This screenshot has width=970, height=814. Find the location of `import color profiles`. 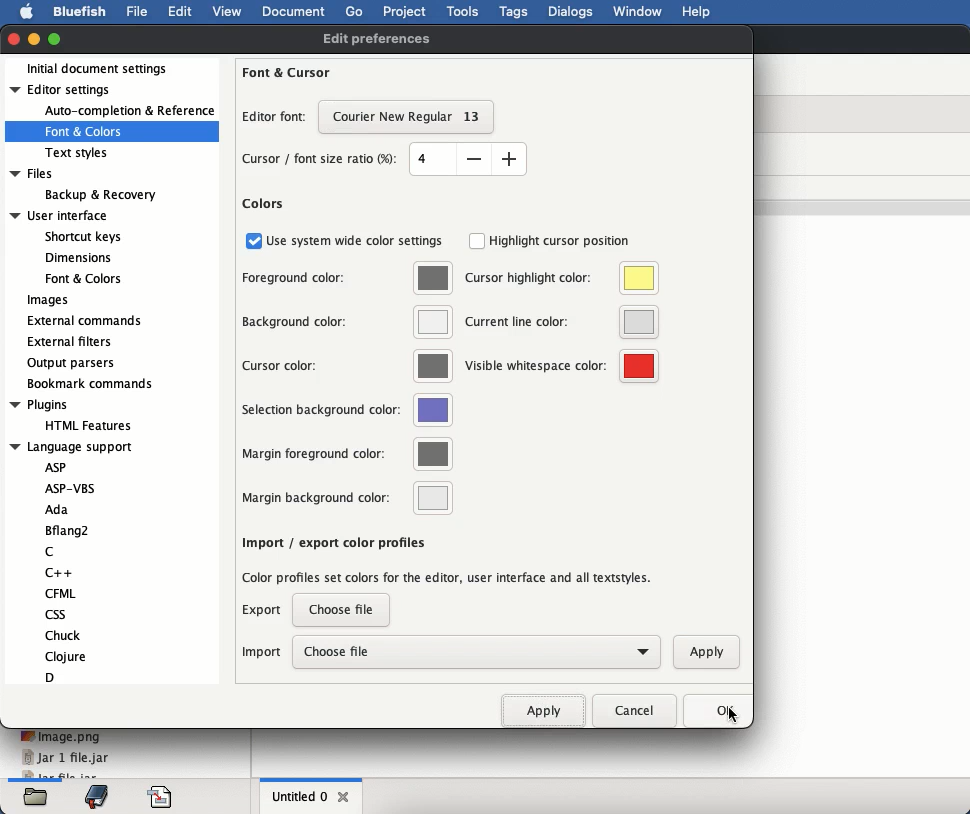

import color profiles is located at coordinates (449, 576).